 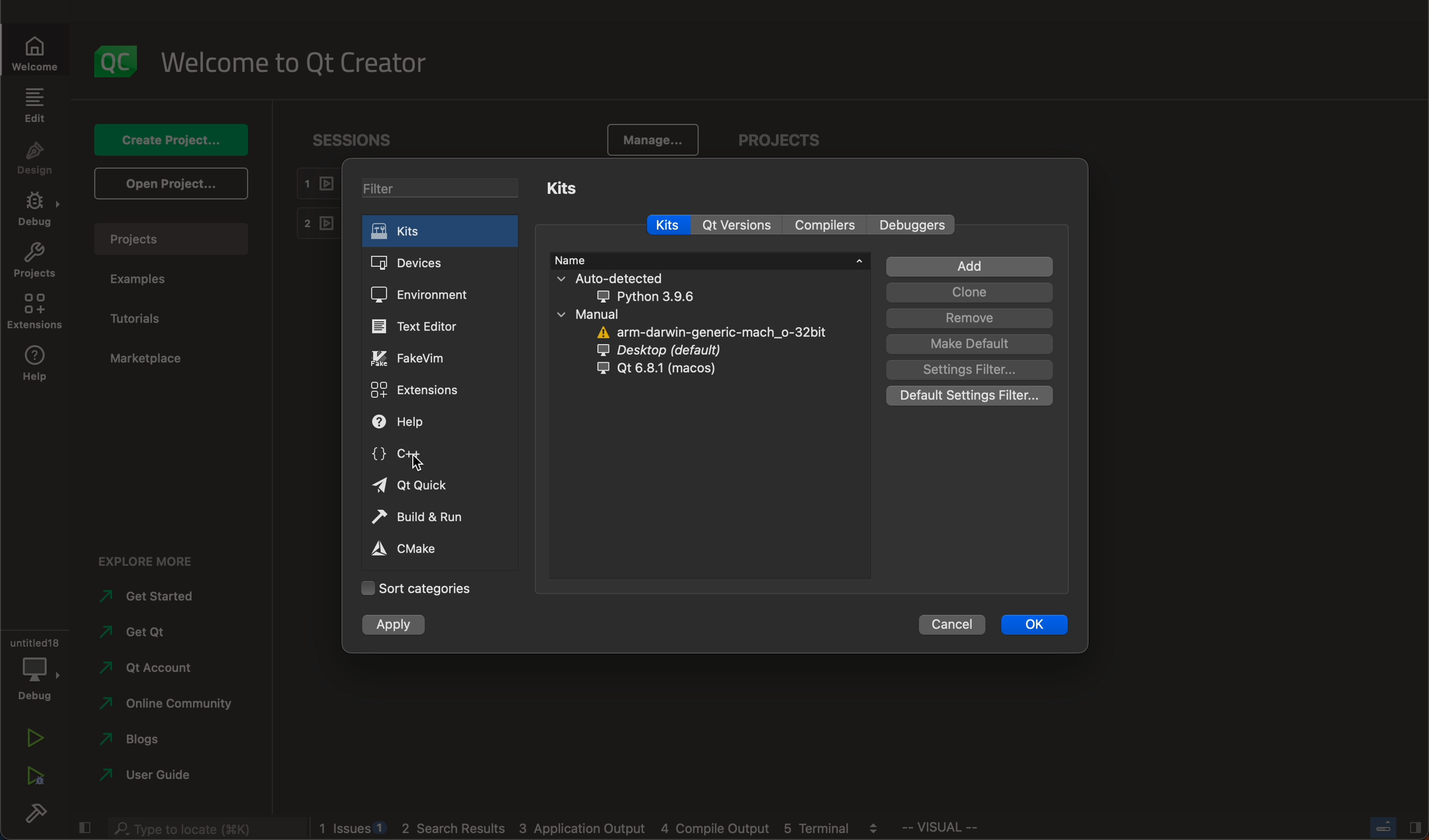 What do you see at coordinates (673, 369) in the screenshot?
I see `qt` at bounding box center [673, 369].